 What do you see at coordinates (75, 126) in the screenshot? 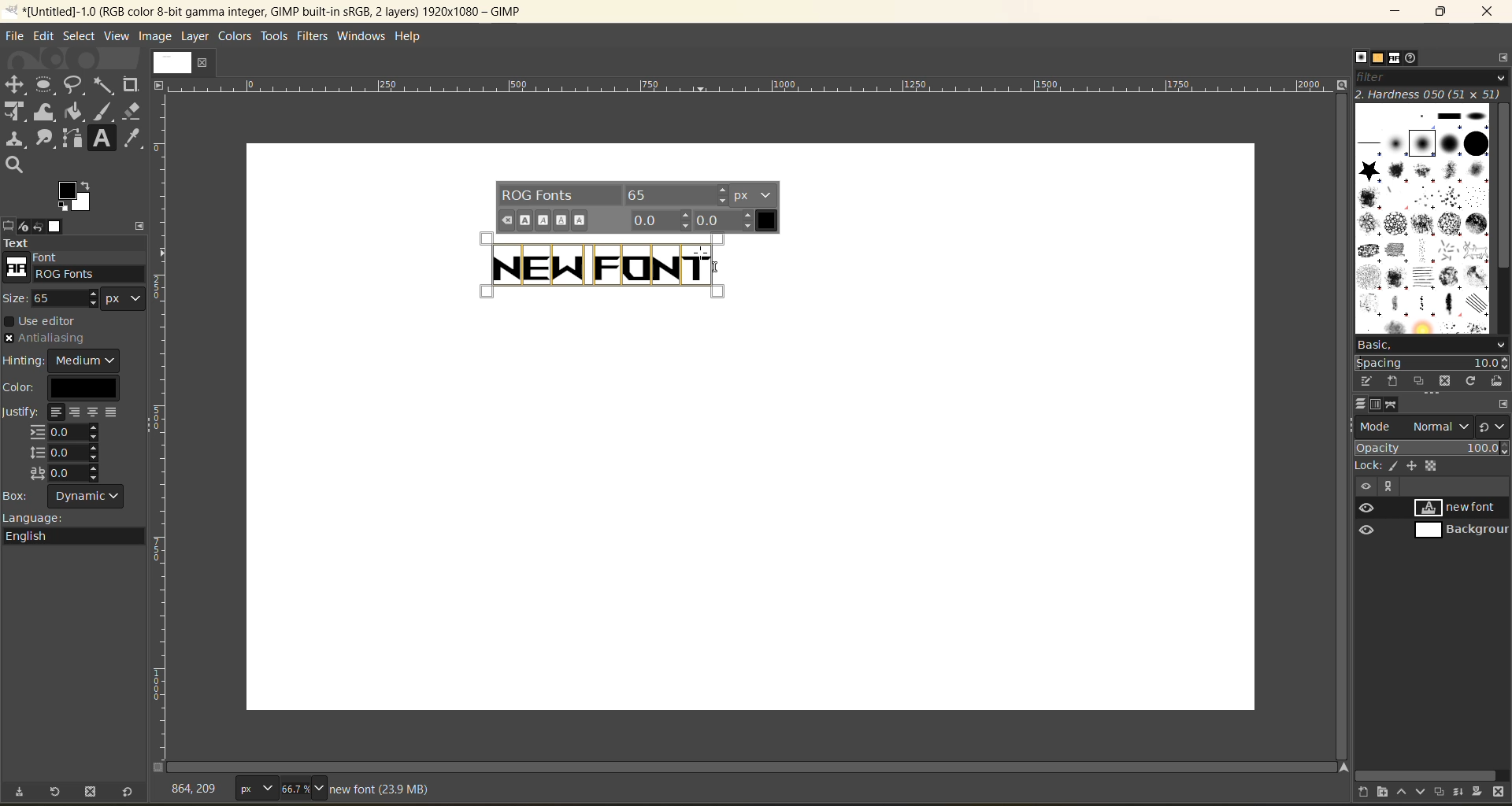
I see `tools` at bounding box center [75, 126].